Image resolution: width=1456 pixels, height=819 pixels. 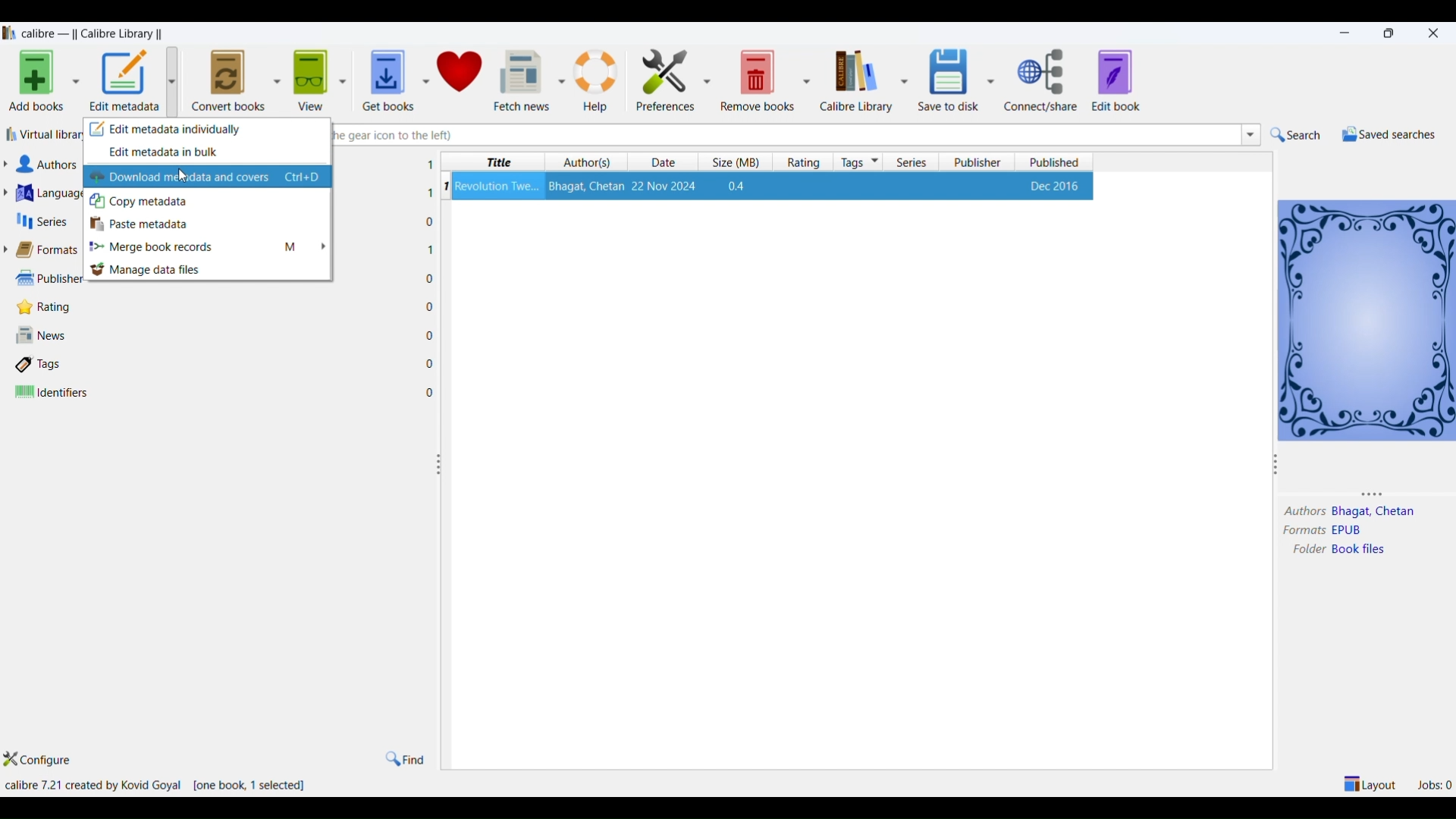 I want to click on 0, so click(x=430, y=363).